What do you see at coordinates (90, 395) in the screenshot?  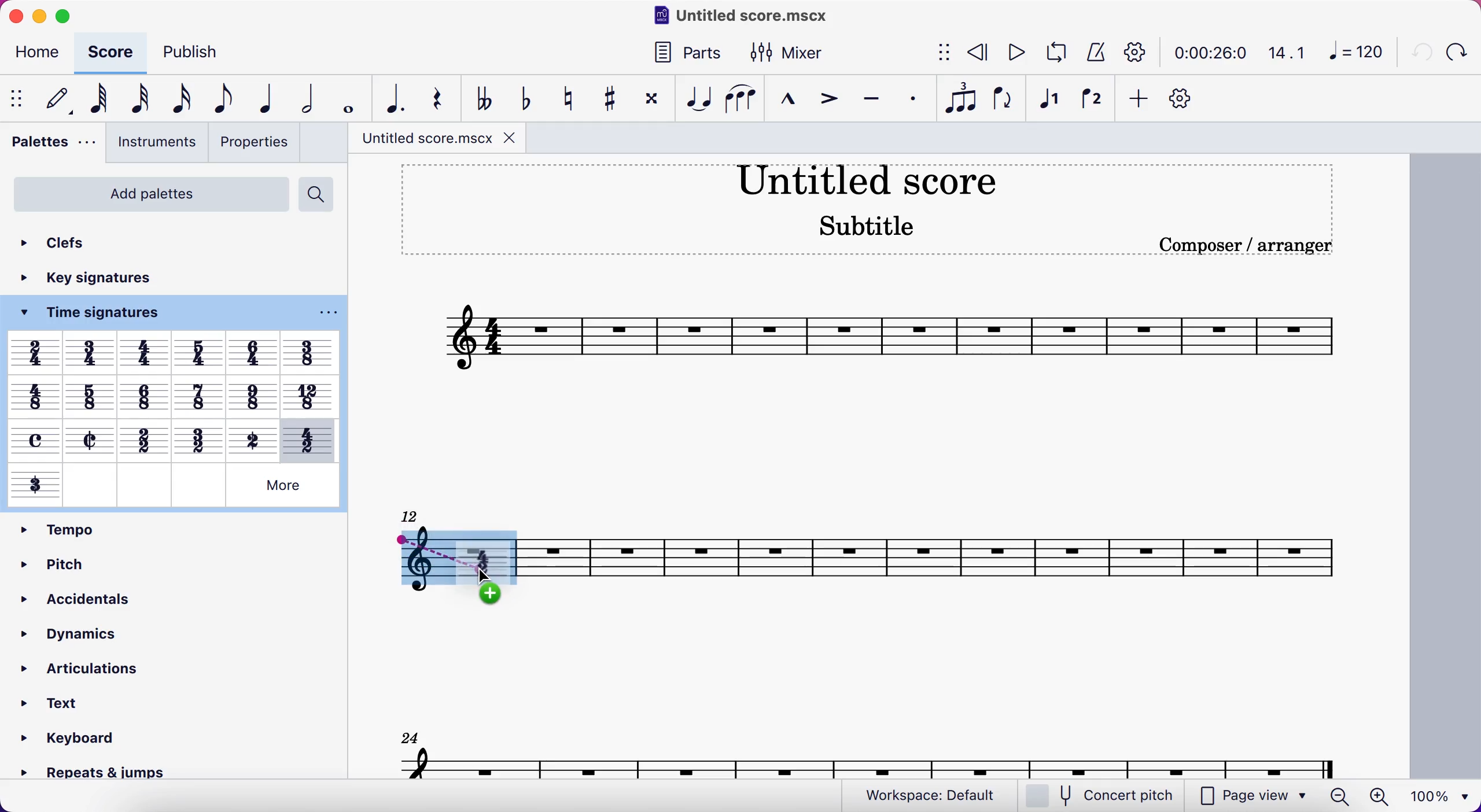 I see `` at bounding box center [90, 395].